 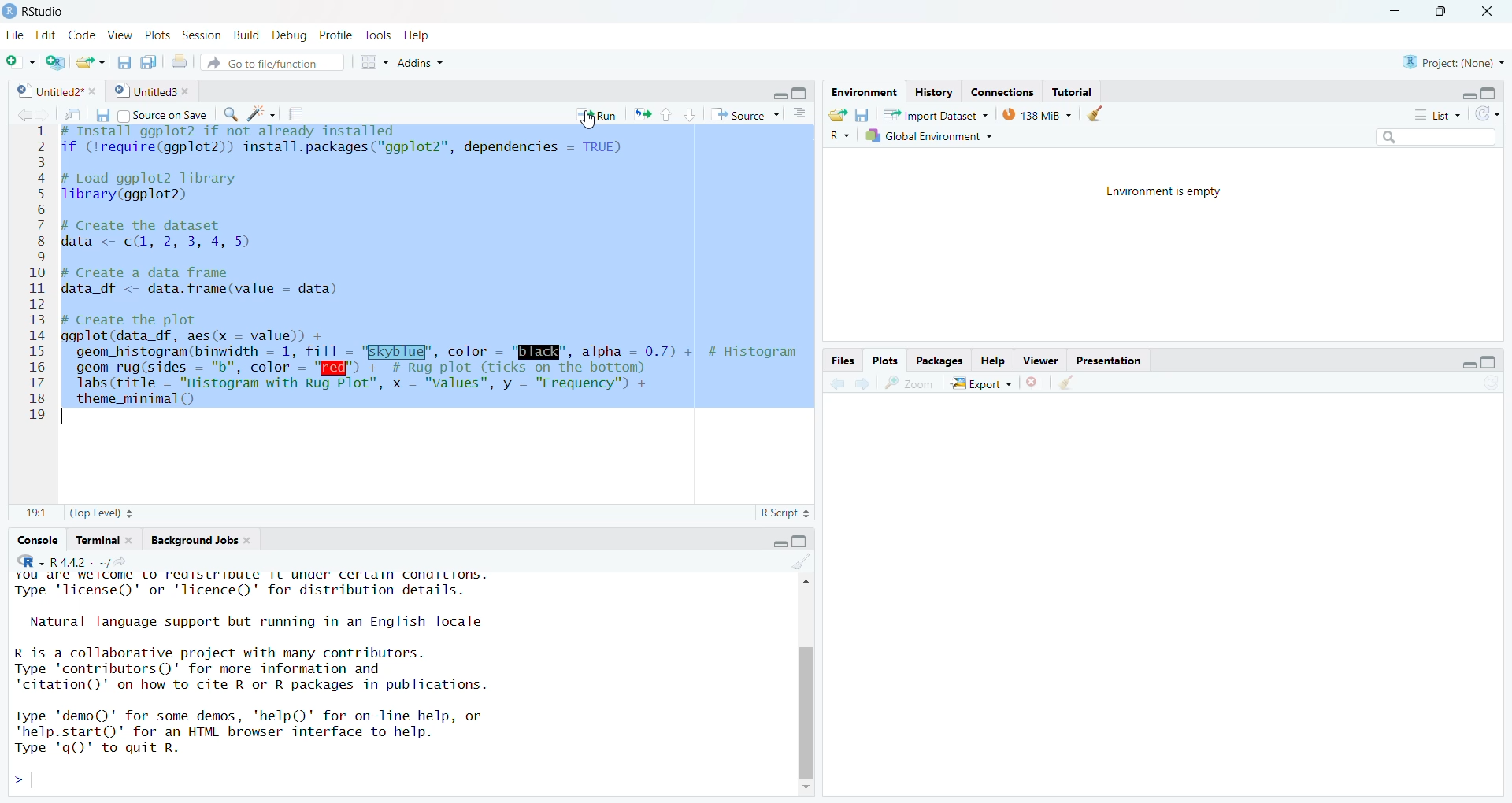 What do you see at coordinates (108, 512) in the screenshot?
I see `(Top Level) +` at bounding box center [108, 512].